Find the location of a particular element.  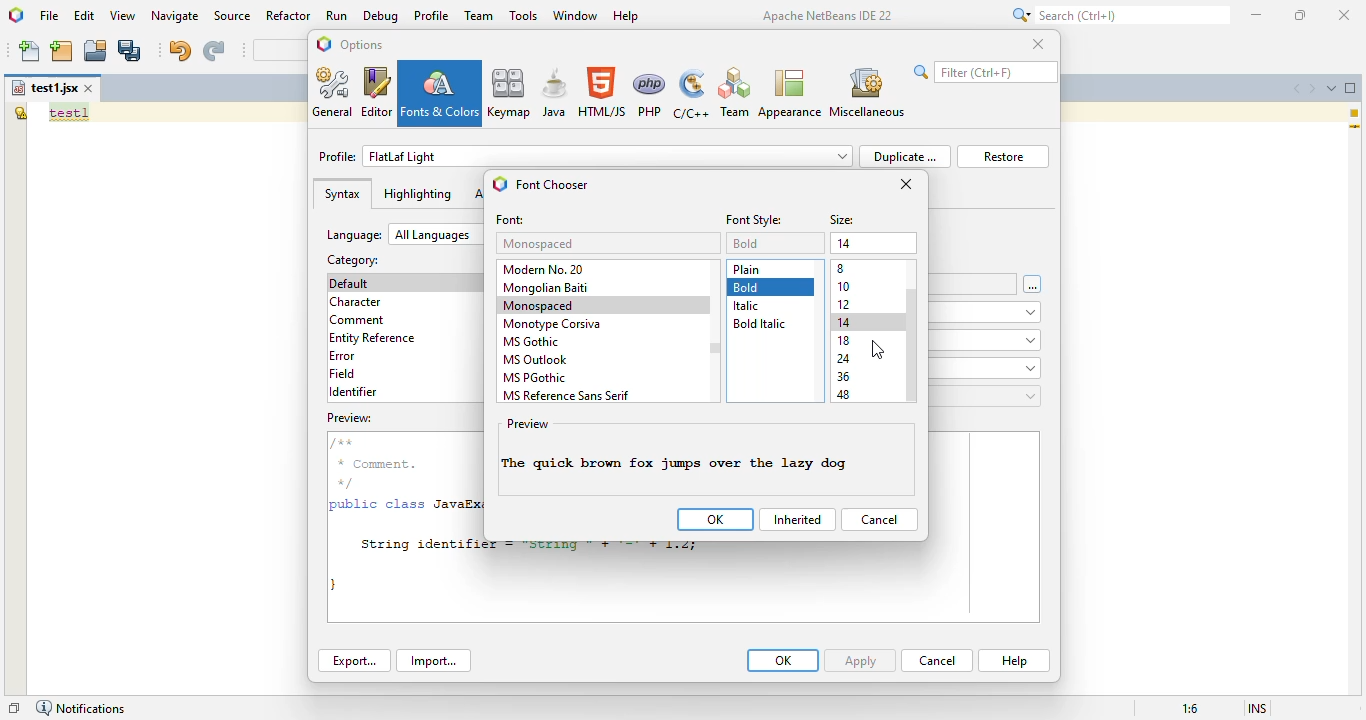

miscellaneous is located at coordinates (867, 91).